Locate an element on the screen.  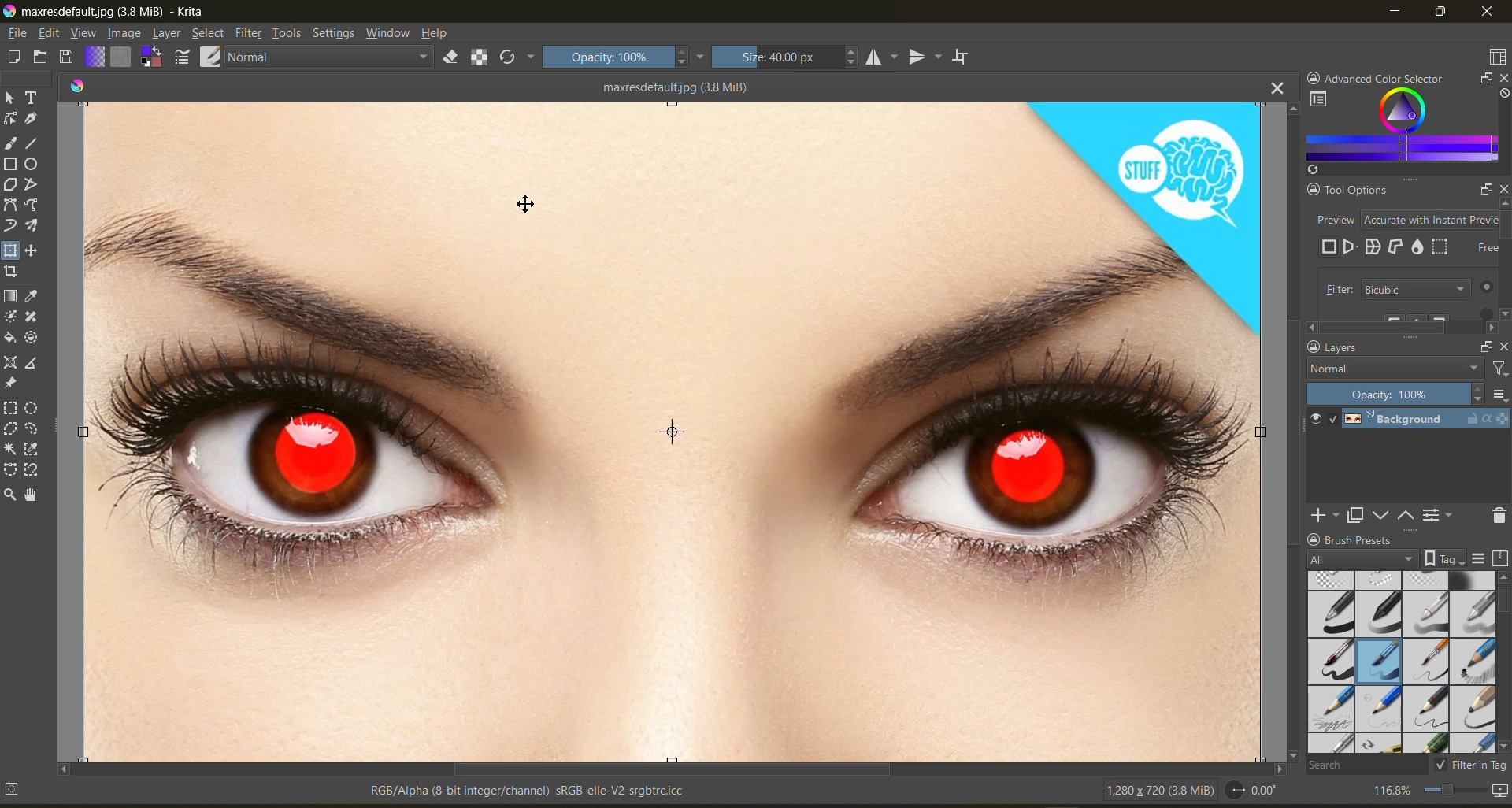
preview is located at coordinates (1350, 246).